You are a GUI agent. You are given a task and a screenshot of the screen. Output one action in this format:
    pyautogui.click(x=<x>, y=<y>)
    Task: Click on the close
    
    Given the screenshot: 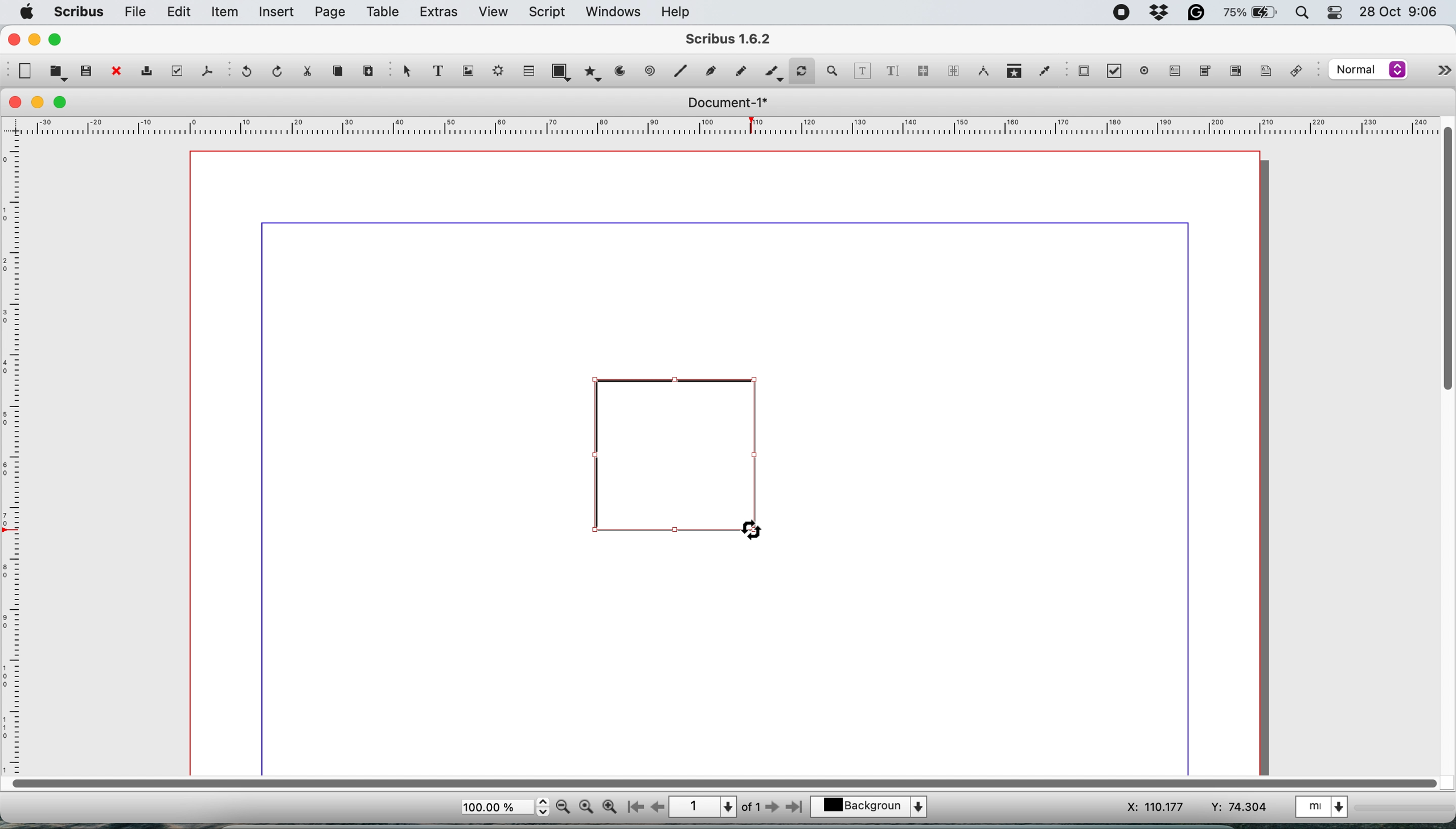 What is the action you would take?
    pyautogui.click(x=13, y=39)
    